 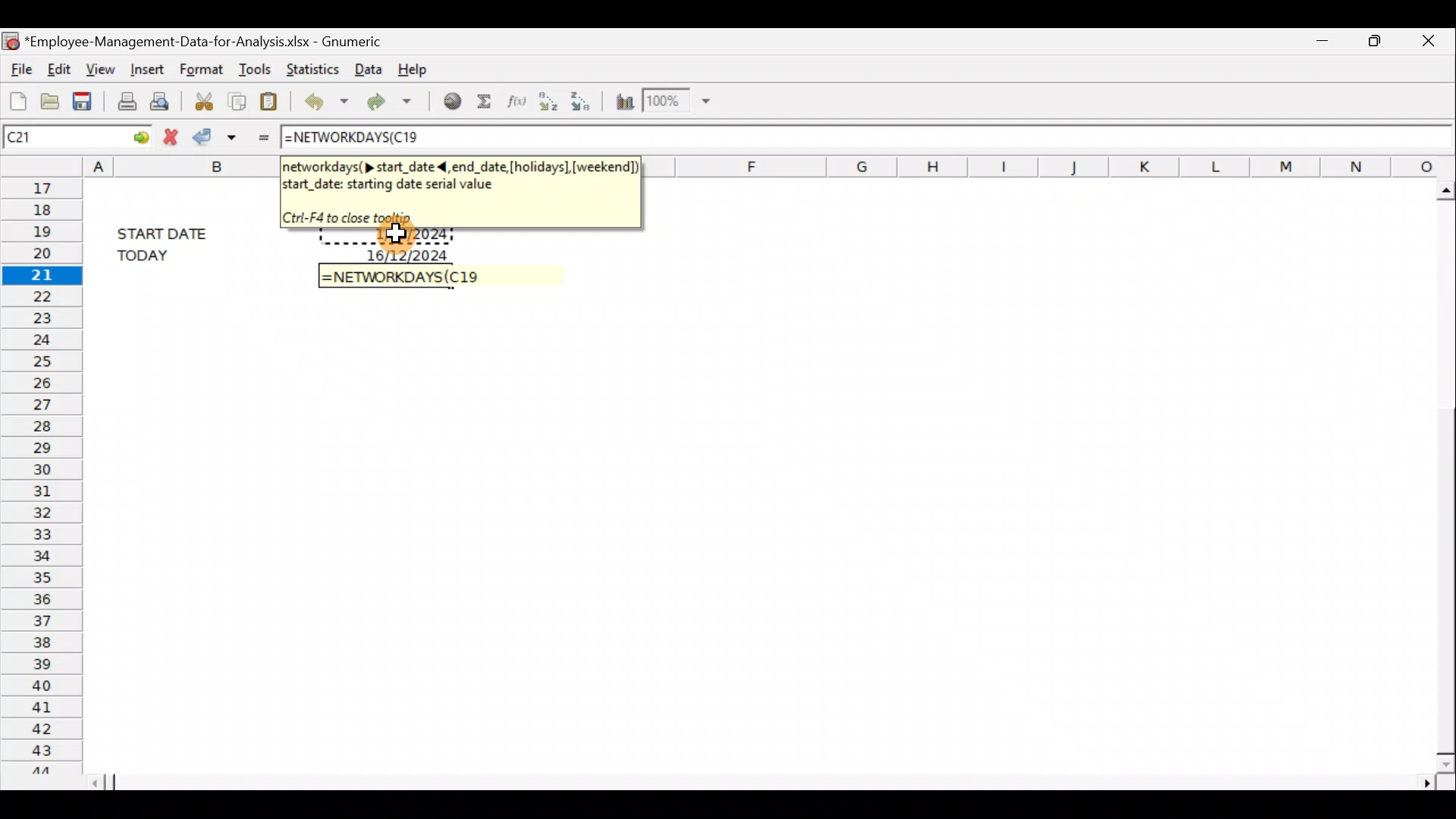 What do you see at coordinates (239, 99) in the screenshot?
I see `Copy the selection` at bounding box center [239, 99].